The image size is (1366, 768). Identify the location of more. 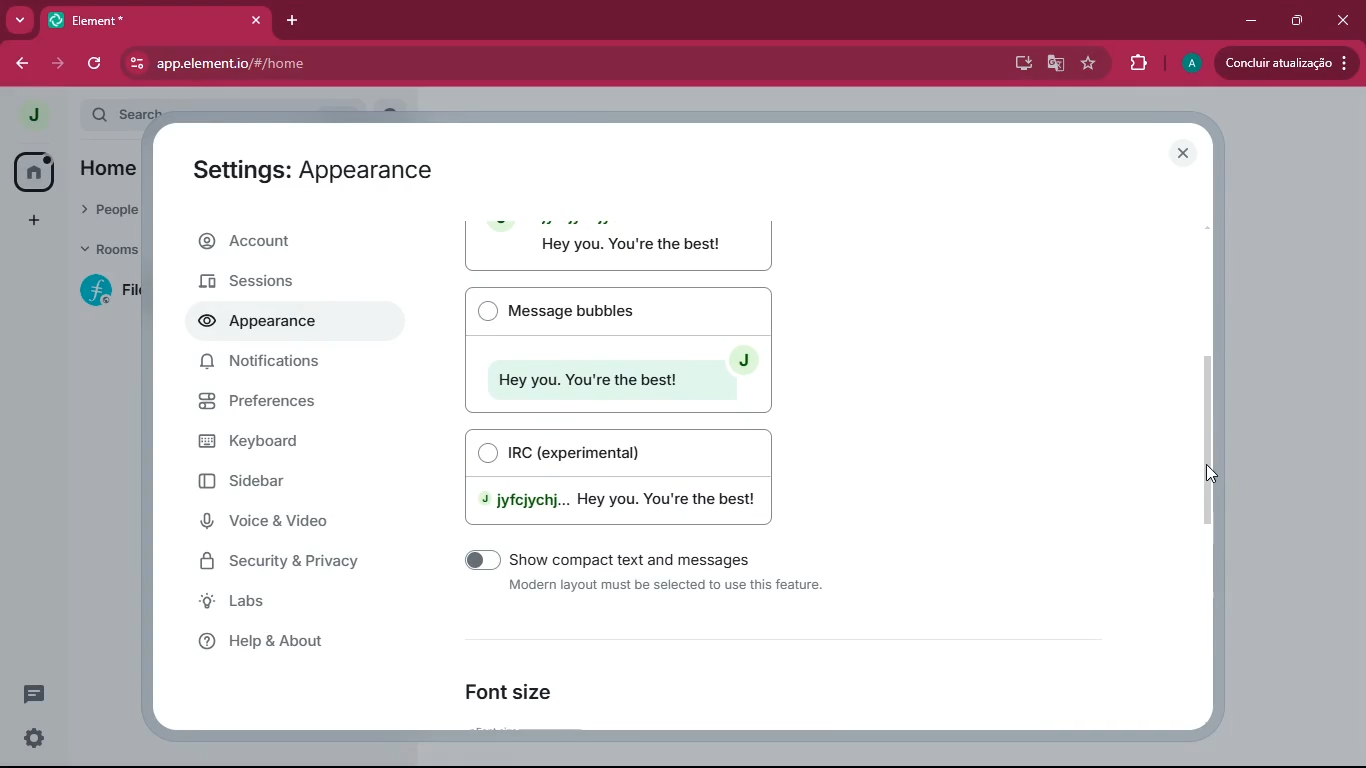
(20, 19).